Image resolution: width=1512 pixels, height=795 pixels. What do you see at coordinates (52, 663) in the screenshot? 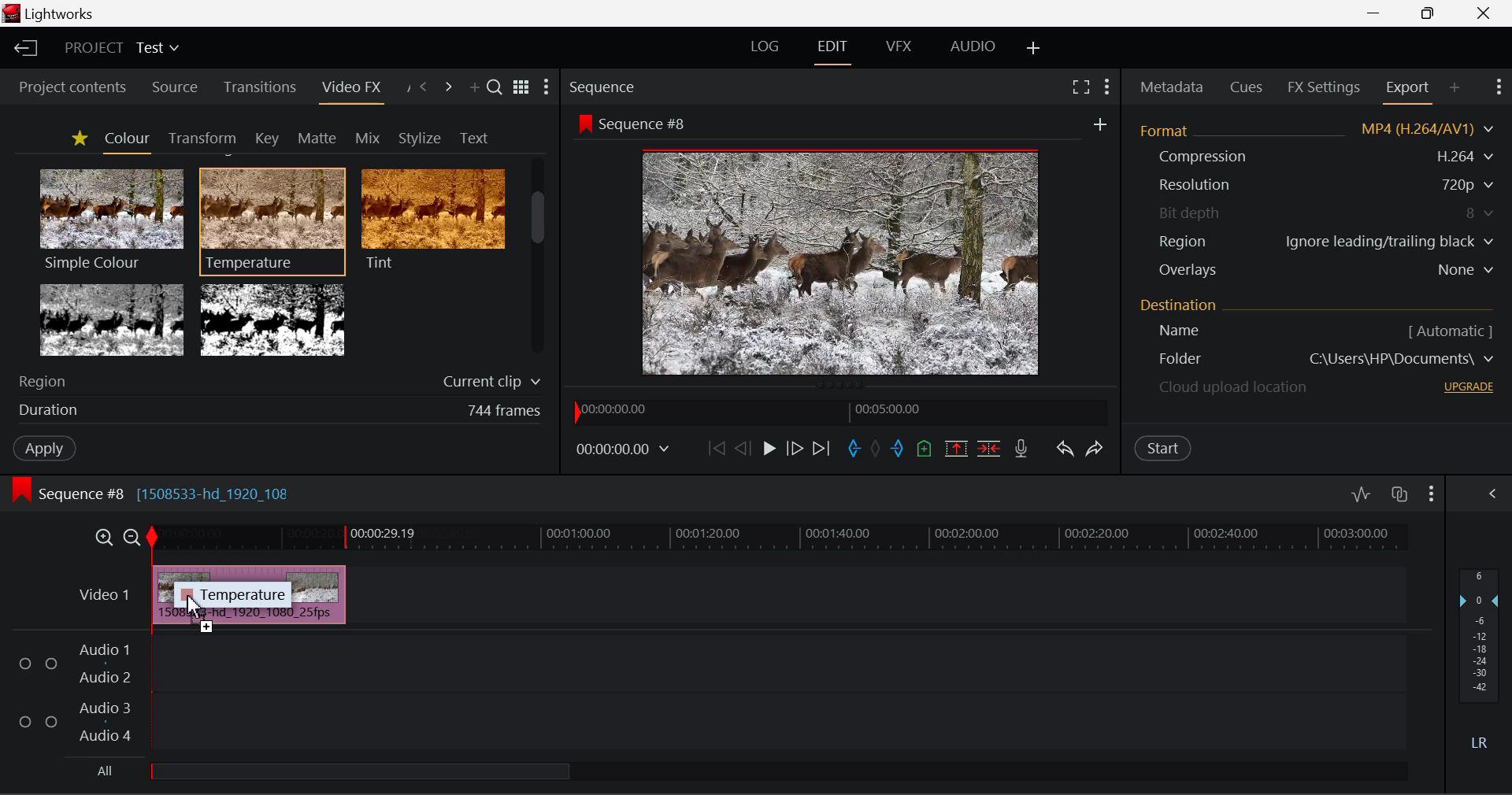
I see `Checkbox` at bounding box center [52, 663].